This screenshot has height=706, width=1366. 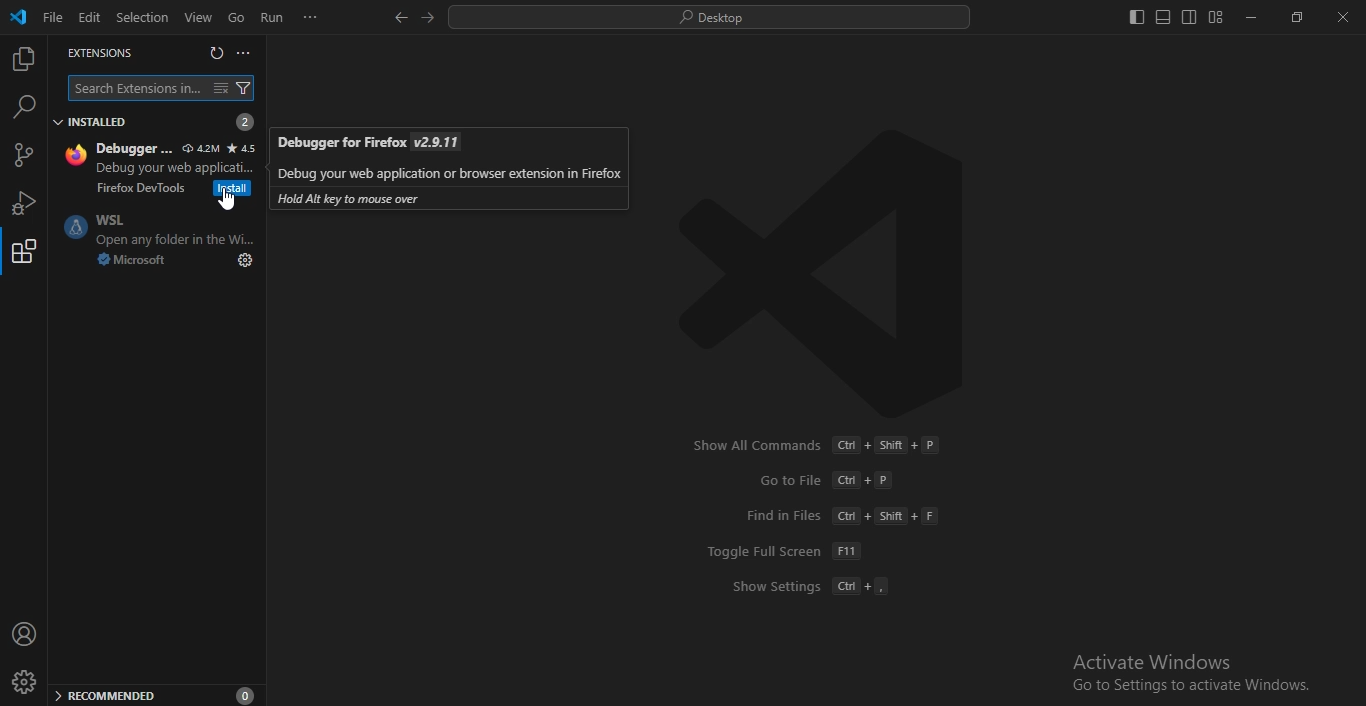 What do you see at coordinates (708, 19) in the screenshot?
I see `search` at bounding box center [708, 19].